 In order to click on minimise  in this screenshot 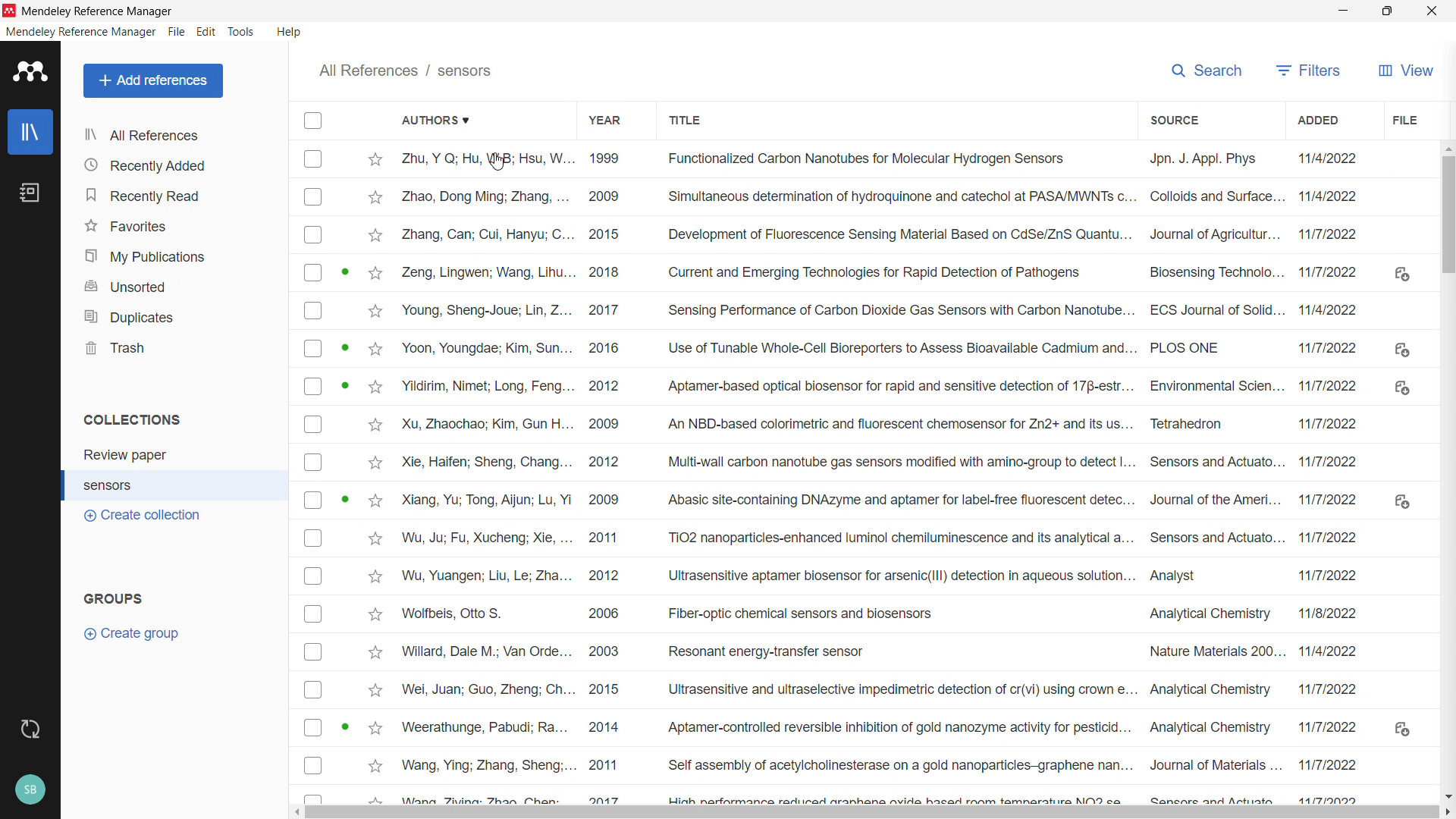, I will do `click(1340, 11)`.